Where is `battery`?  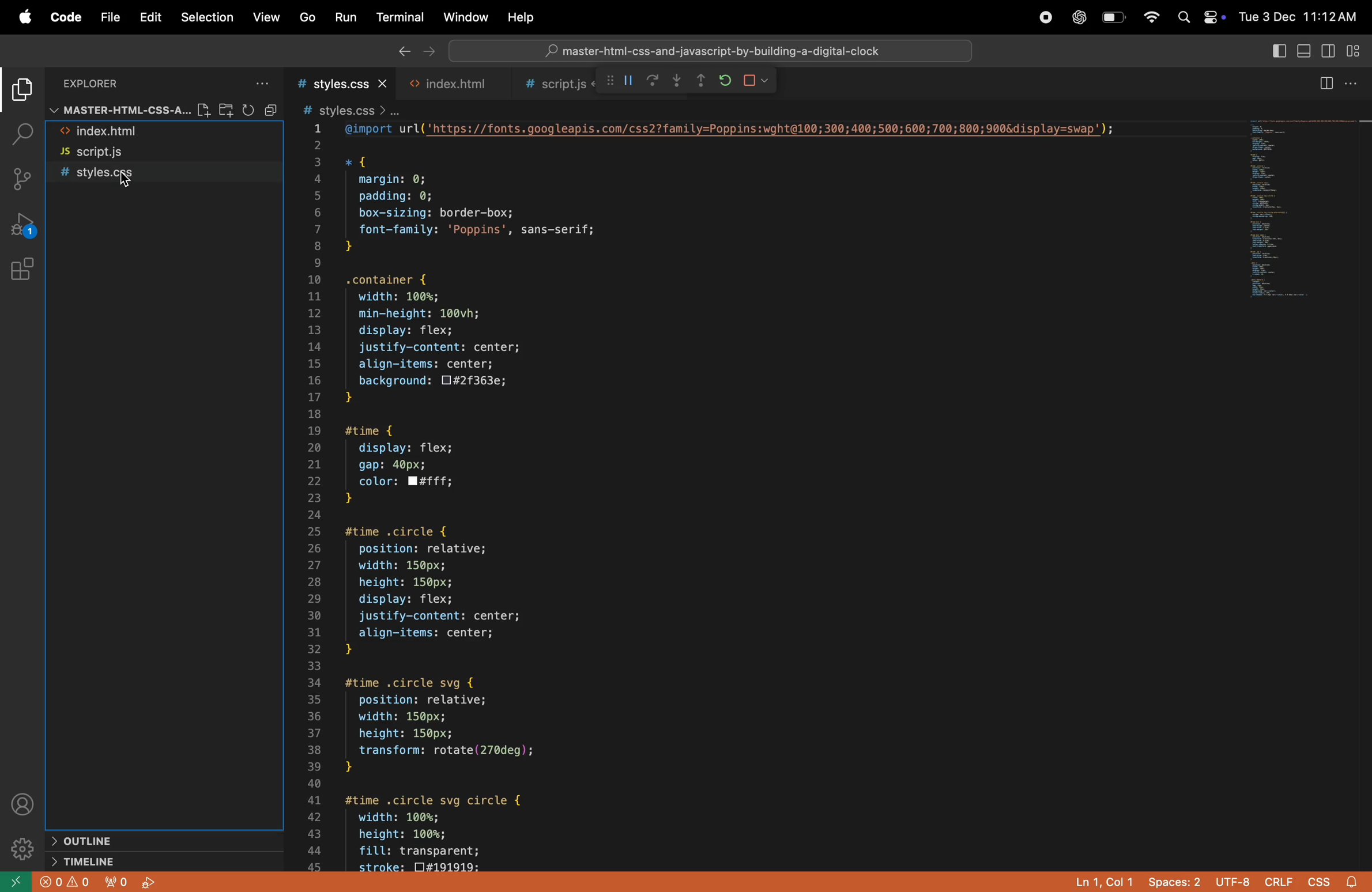 battery is located at coordinates (1111, 17).